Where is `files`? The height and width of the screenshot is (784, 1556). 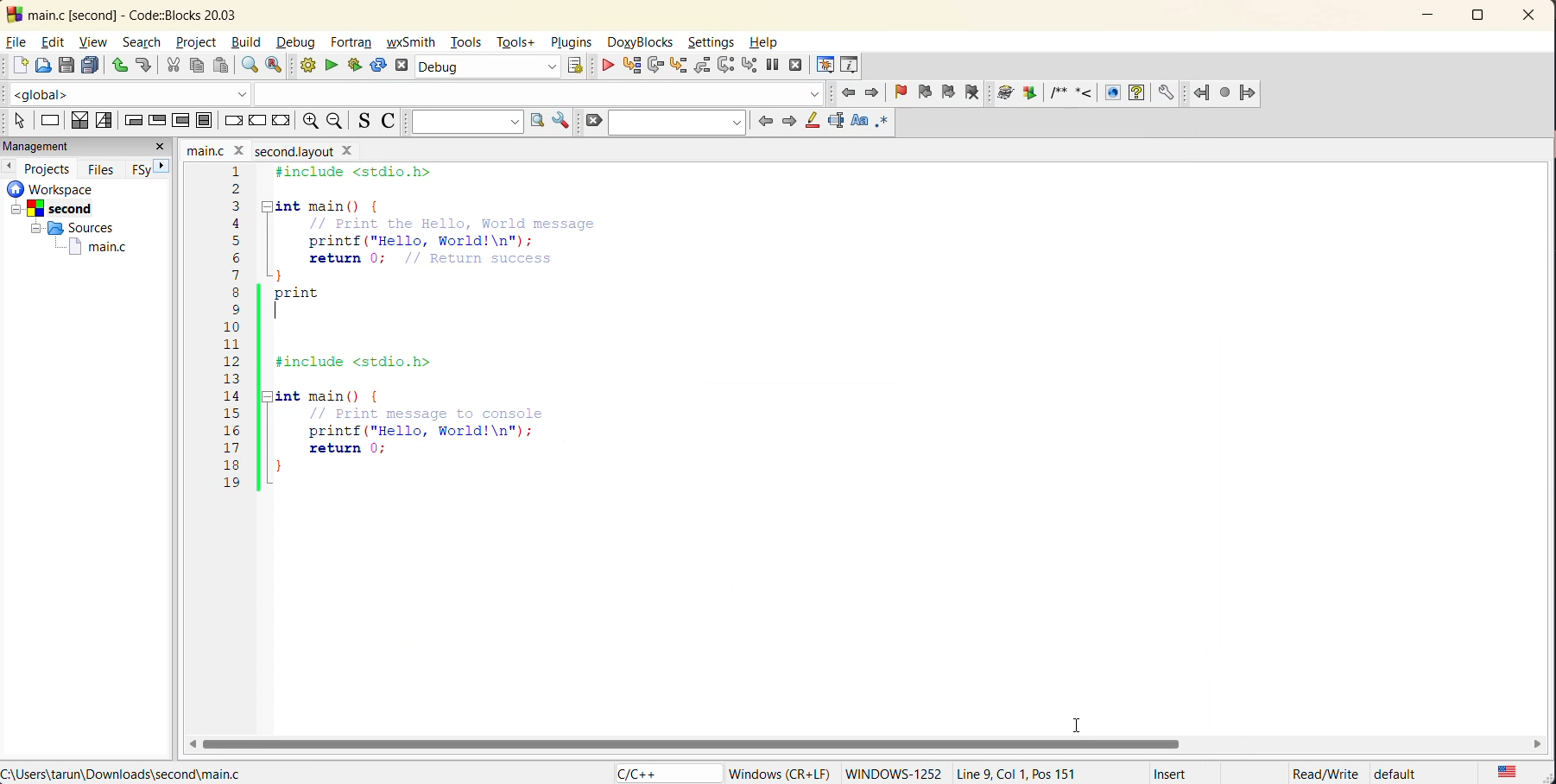 files is located at coordinates (104, 168).